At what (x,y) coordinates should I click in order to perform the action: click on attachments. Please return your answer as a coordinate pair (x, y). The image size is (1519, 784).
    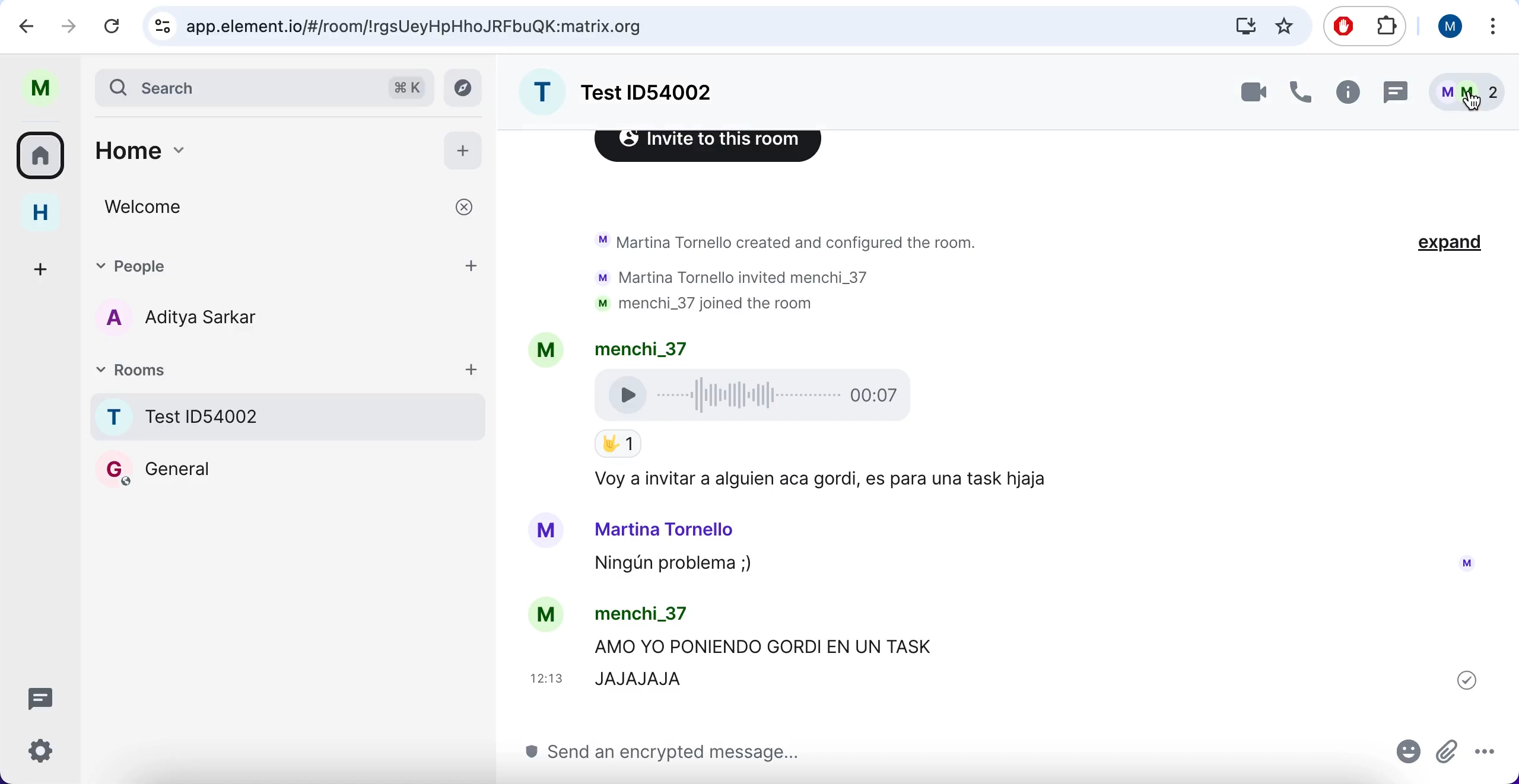
    Looking at the image, I should click on (1446, 753).